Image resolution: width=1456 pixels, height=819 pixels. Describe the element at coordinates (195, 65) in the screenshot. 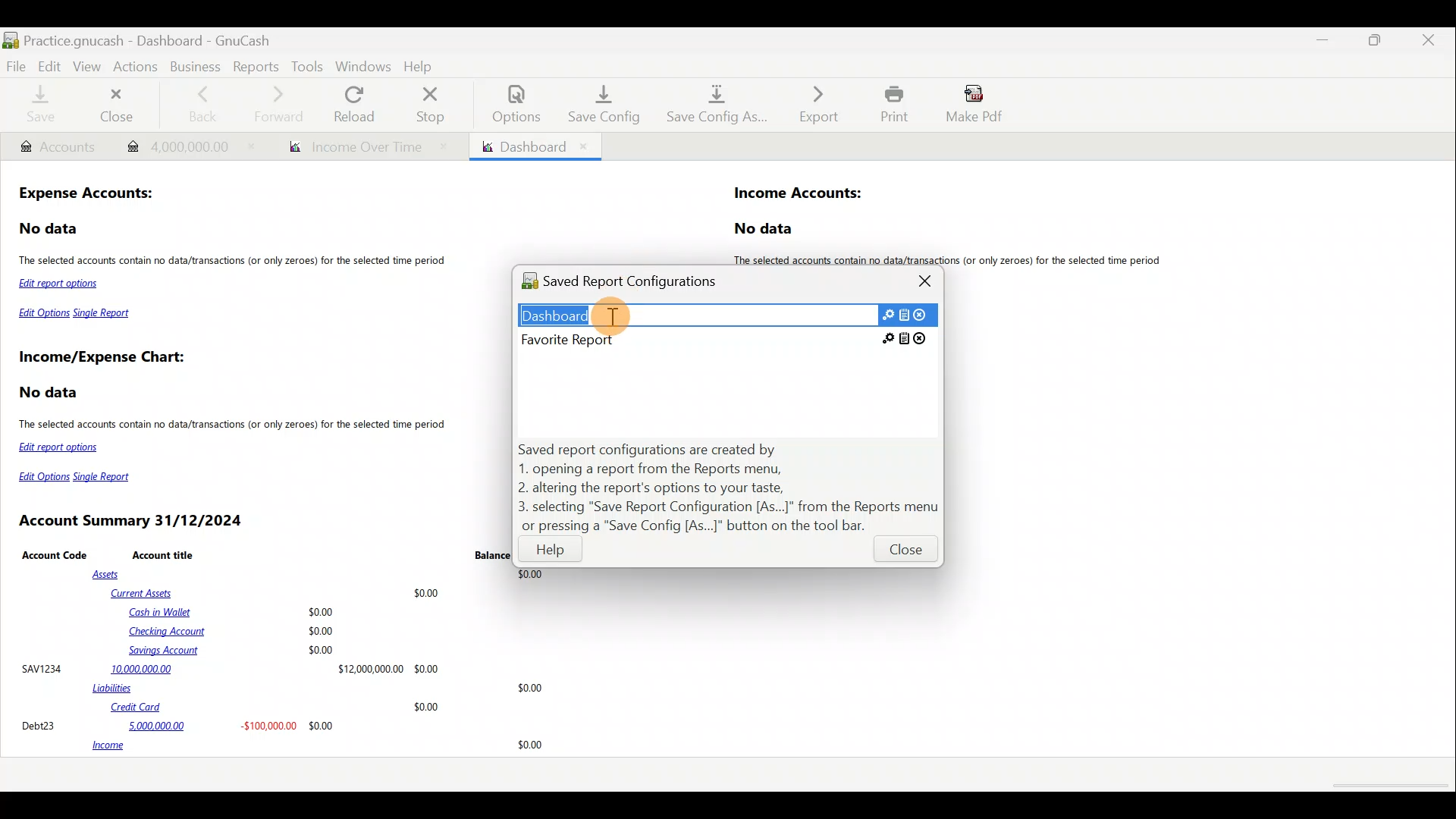

I see `Business` at that location.